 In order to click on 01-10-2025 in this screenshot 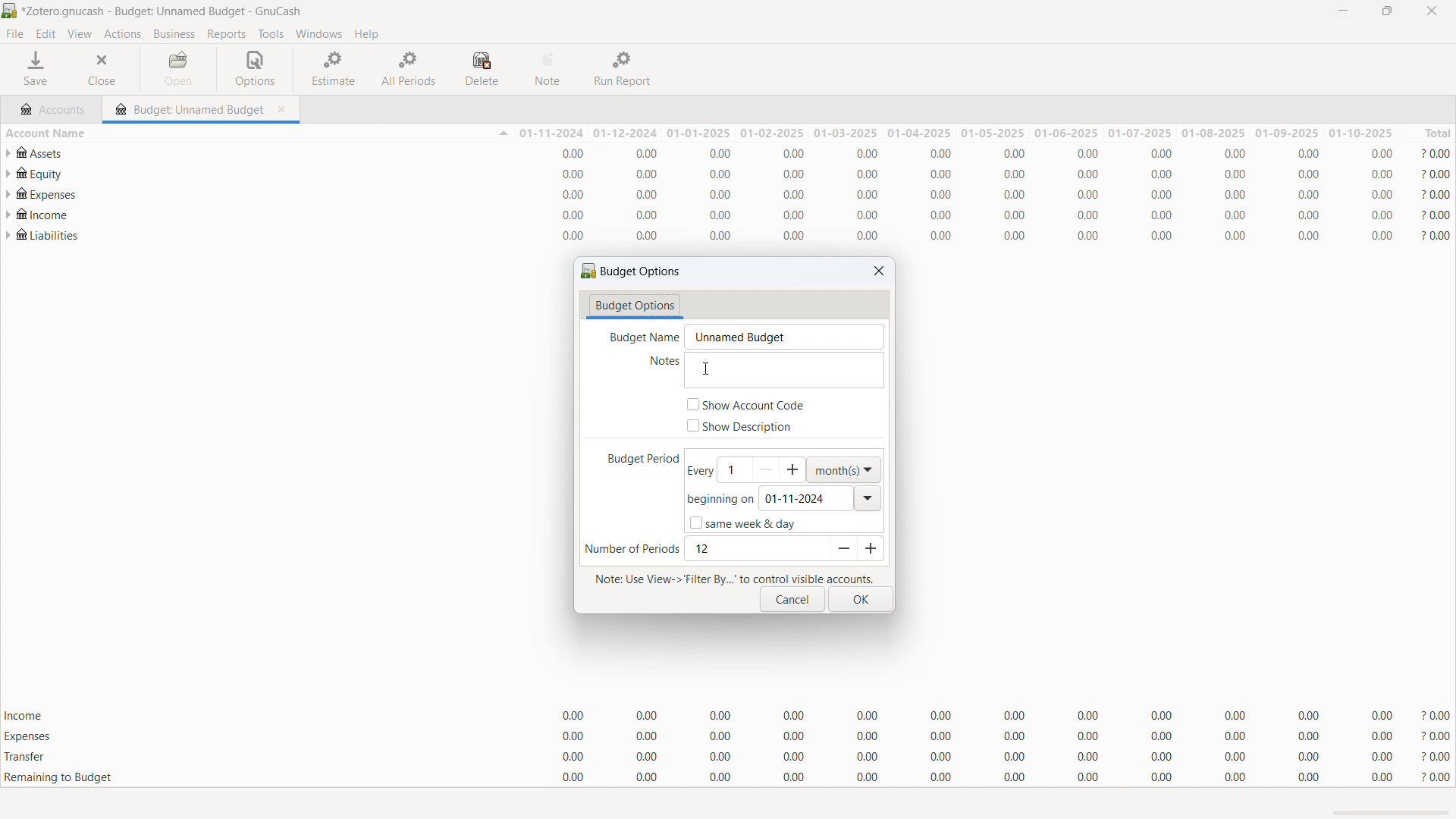, I will do `click(1360, 133)`.